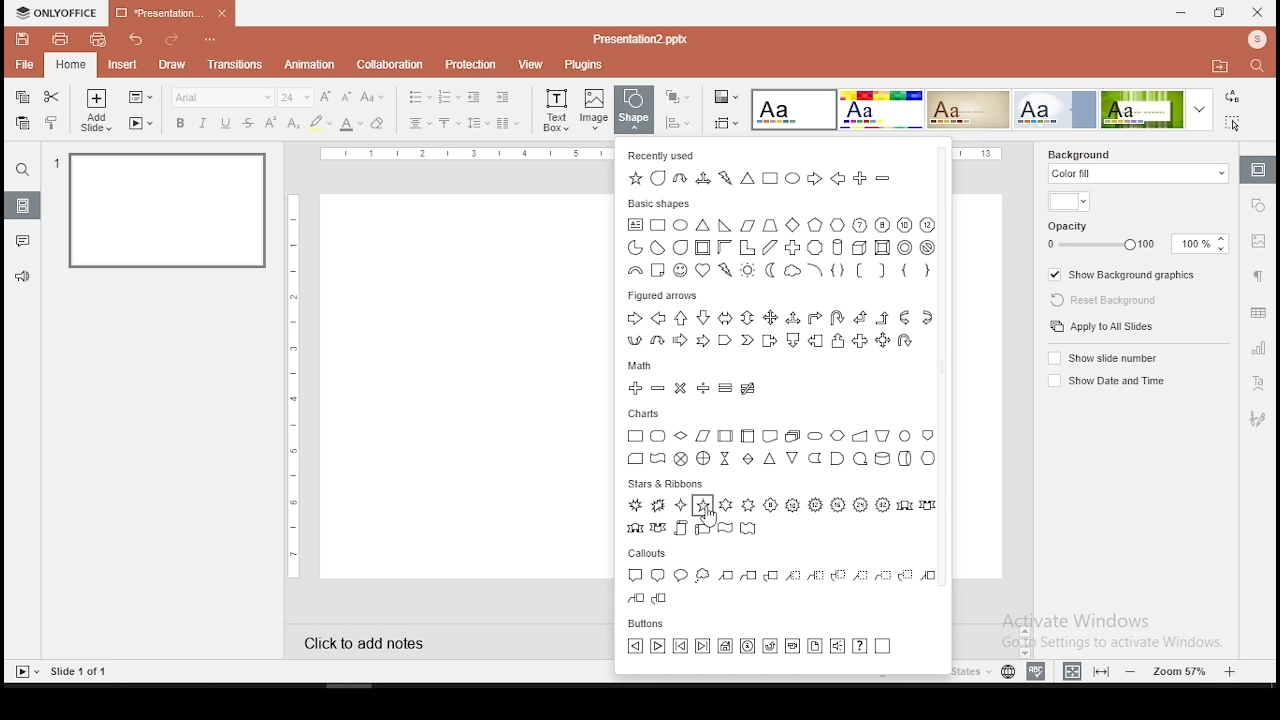 The height and width of the screenshot is (720, 1280). I want to click on slide 1 of 1, so click(81, 671).